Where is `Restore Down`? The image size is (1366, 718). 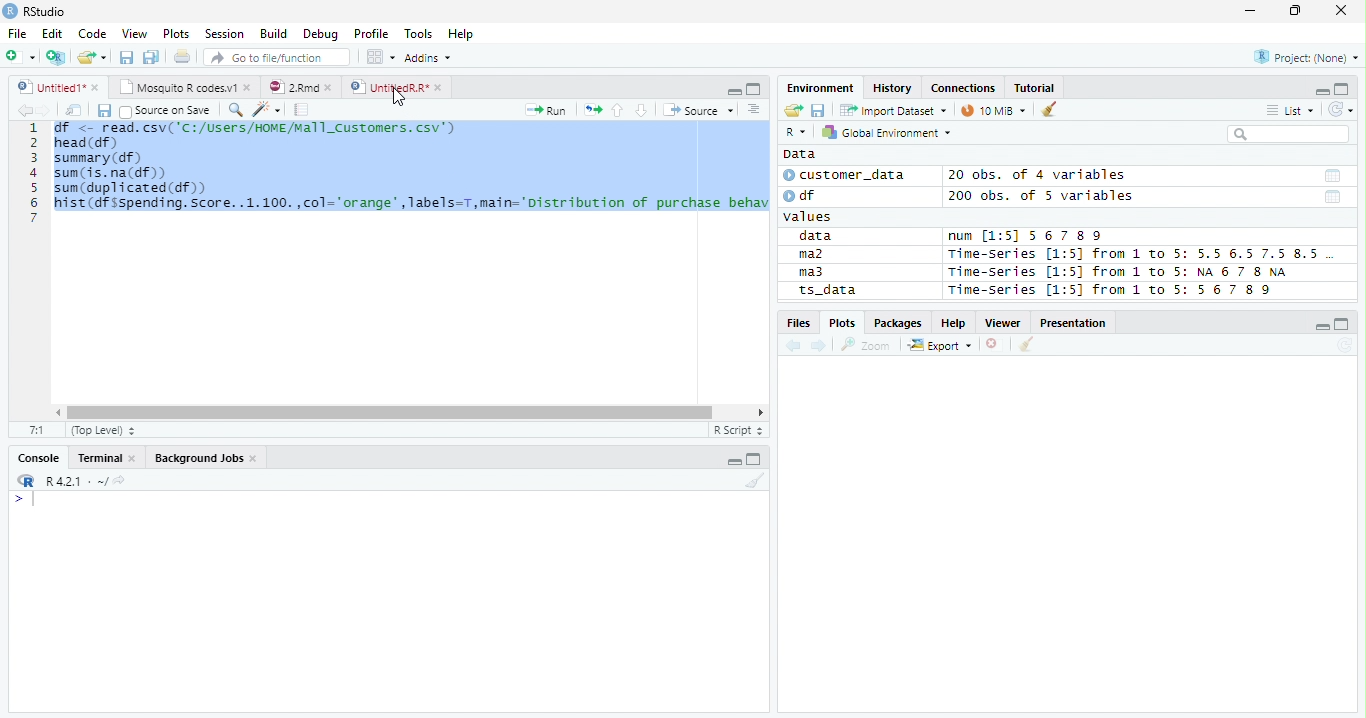 Restore Down is located at coordinates (1298, 11).